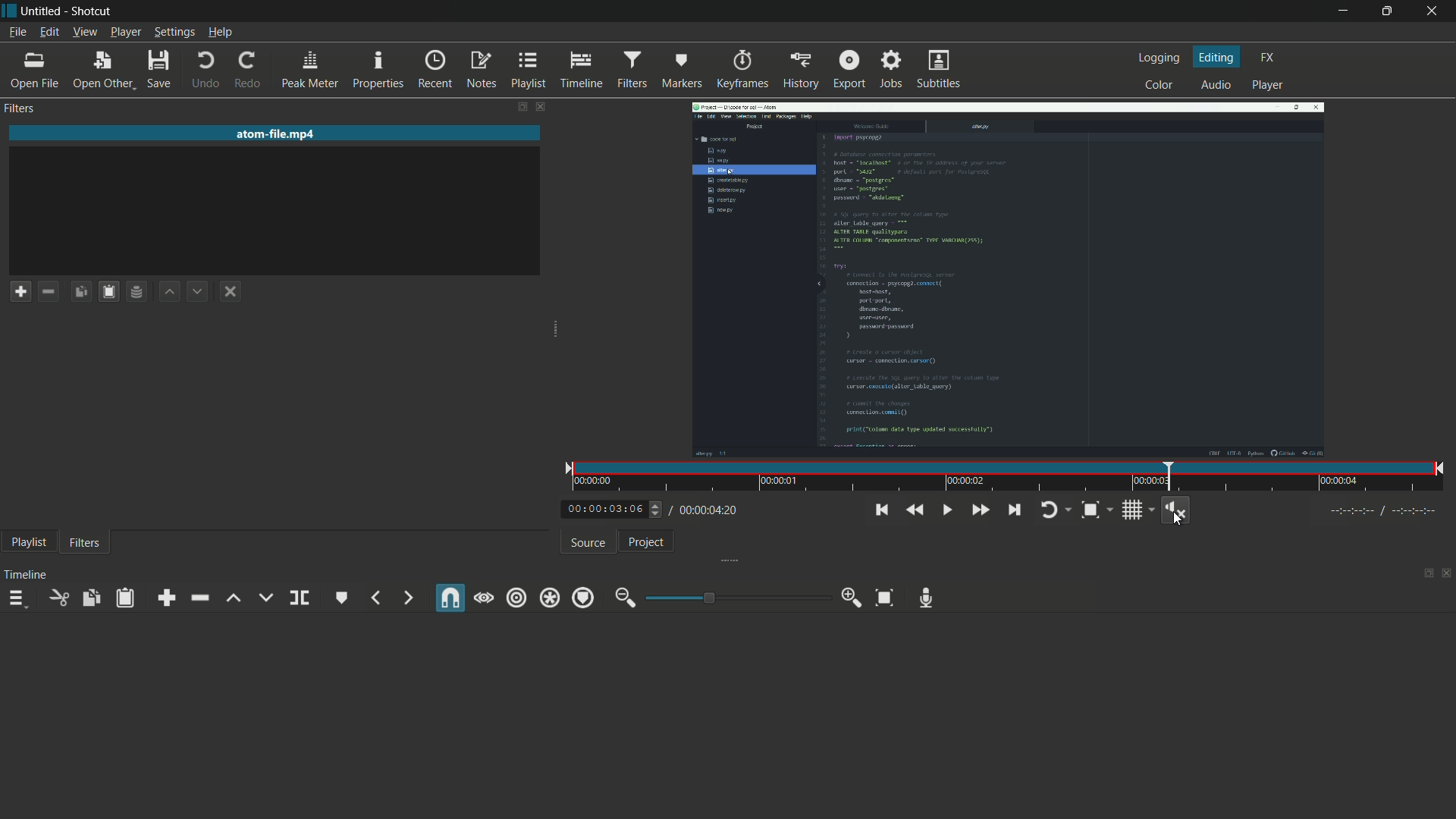 This screenshot has width=1456, height=819. I want to click on peak meter, so click(308, 71).